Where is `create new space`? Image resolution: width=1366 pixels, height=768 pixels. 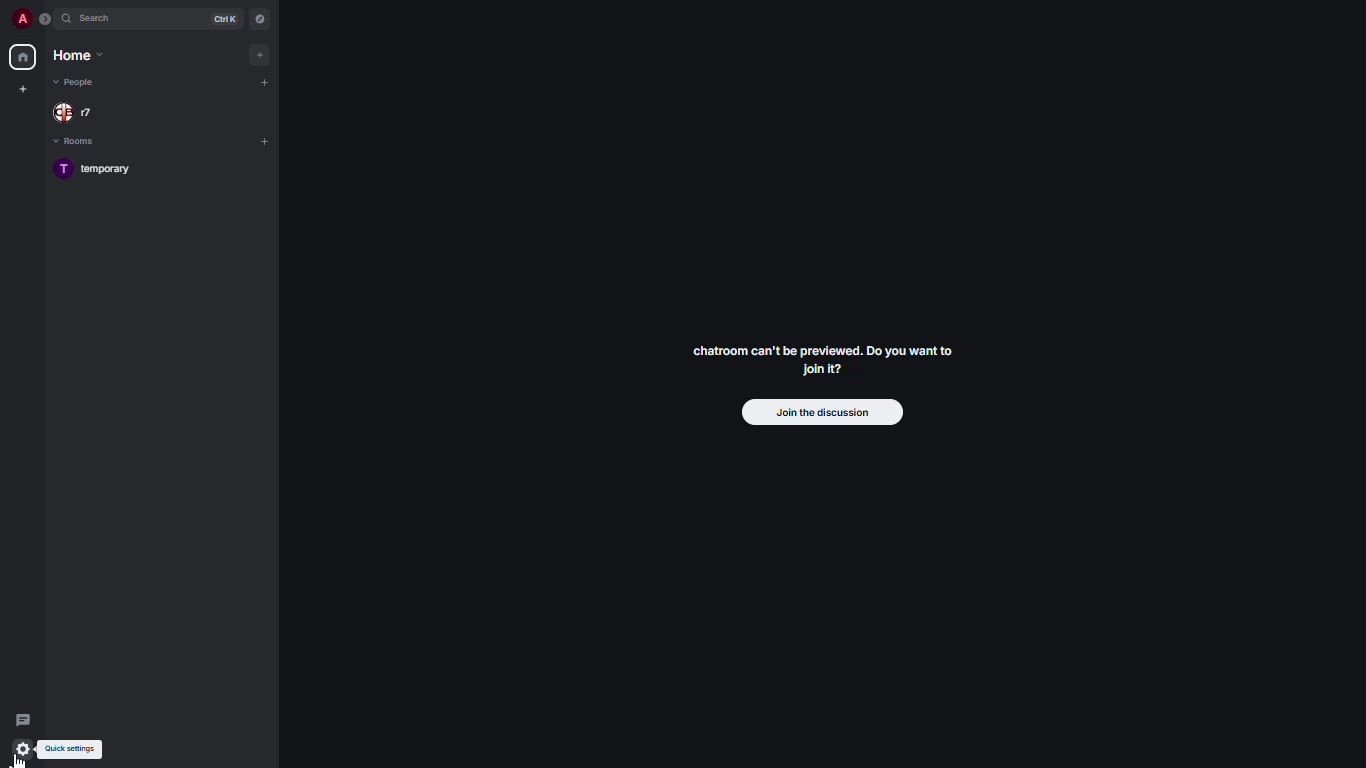
create new space is located at coordinates (23, 88).